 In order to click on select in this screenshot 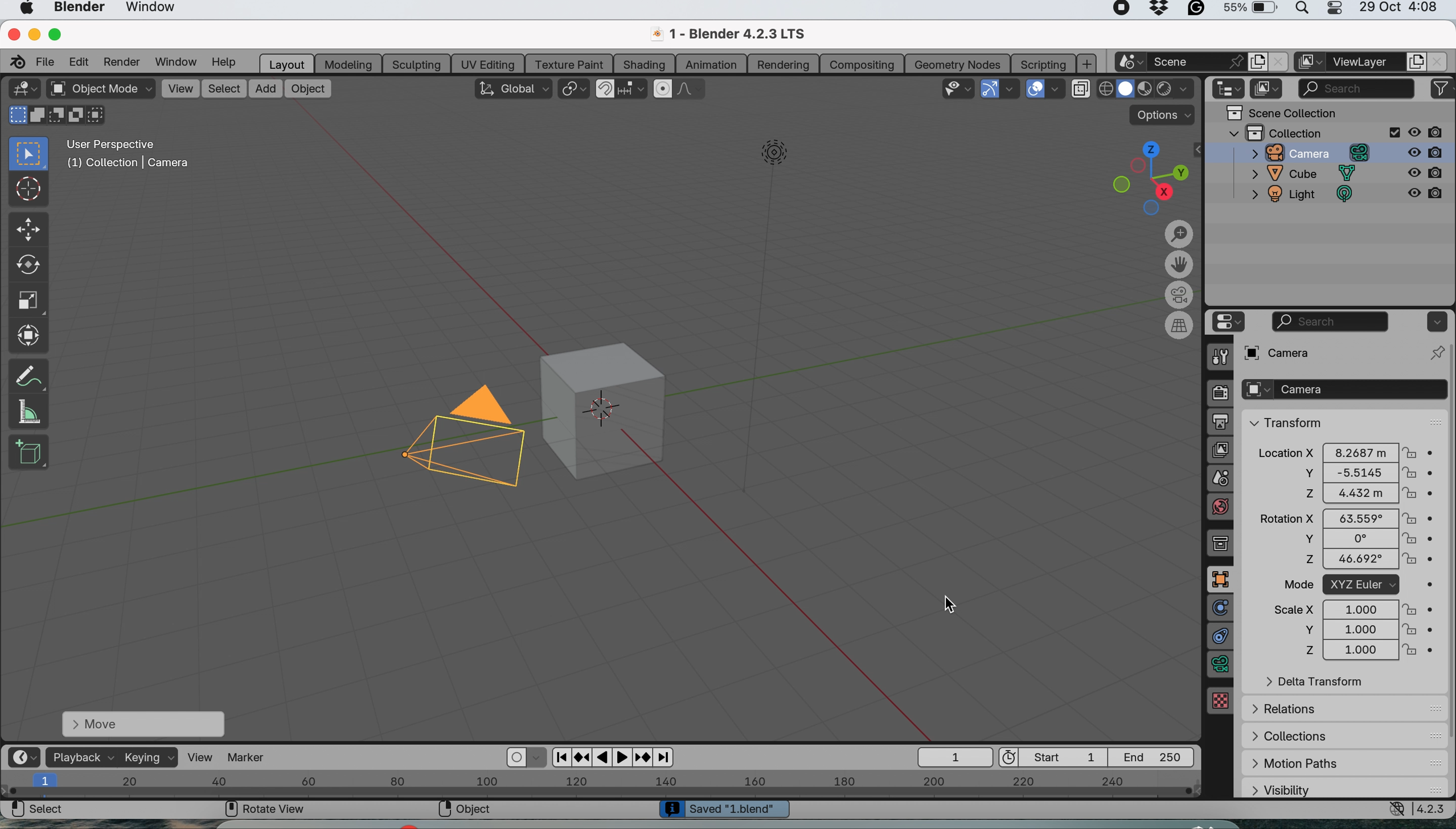, I will do `click(37, 809)`.